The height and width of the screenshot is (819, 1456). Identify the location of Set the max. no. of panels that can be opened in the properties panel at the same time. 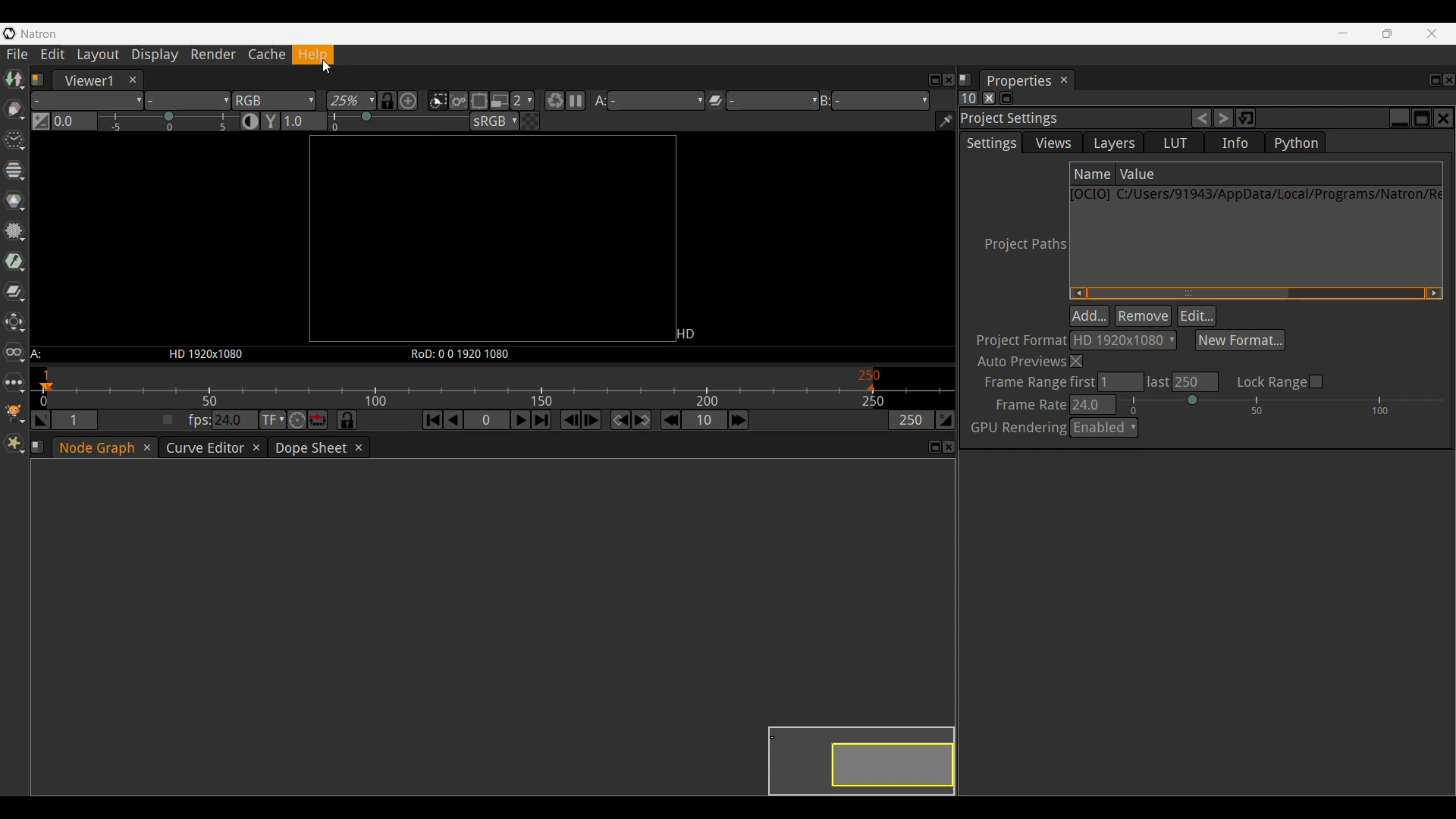
(968, 98).